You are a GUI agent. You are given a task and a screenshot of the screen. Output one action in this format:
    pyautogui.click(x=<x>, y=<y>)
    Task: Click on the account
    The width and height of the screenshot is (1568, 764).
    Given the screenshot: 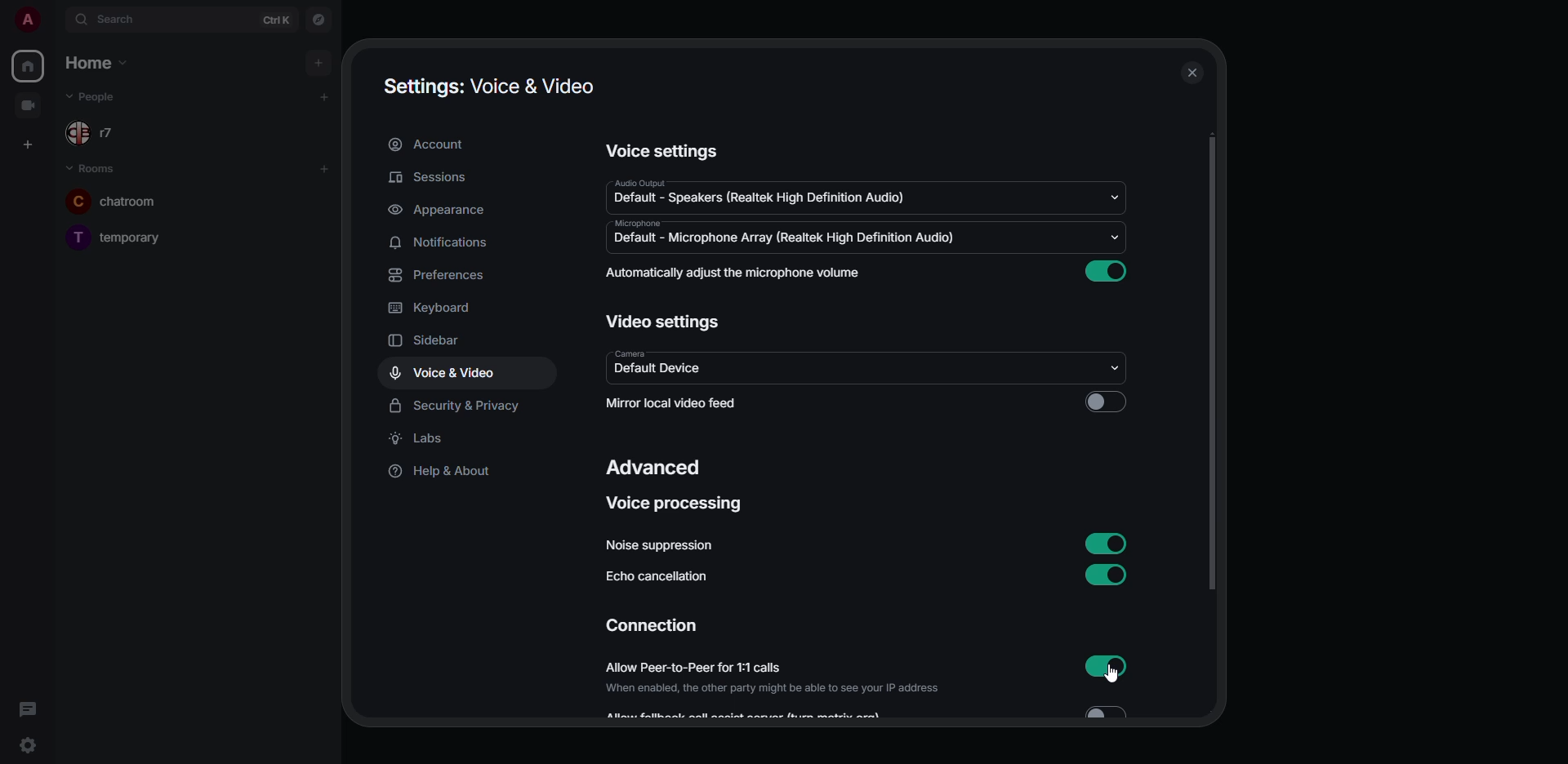 What is the action you would take?
    pyautogui.click(x=427, y=145)
    